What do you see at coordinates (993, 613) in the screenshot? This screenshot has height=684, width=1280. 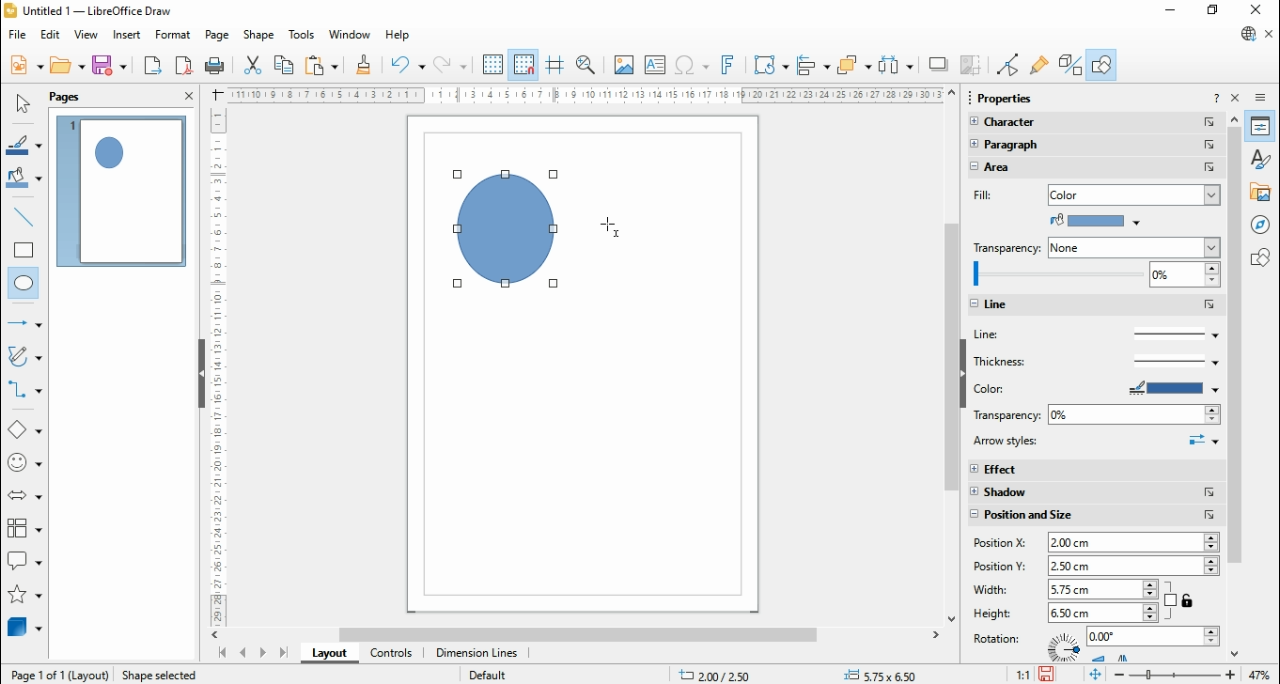 I see `height` at bounding box center [993, 613].